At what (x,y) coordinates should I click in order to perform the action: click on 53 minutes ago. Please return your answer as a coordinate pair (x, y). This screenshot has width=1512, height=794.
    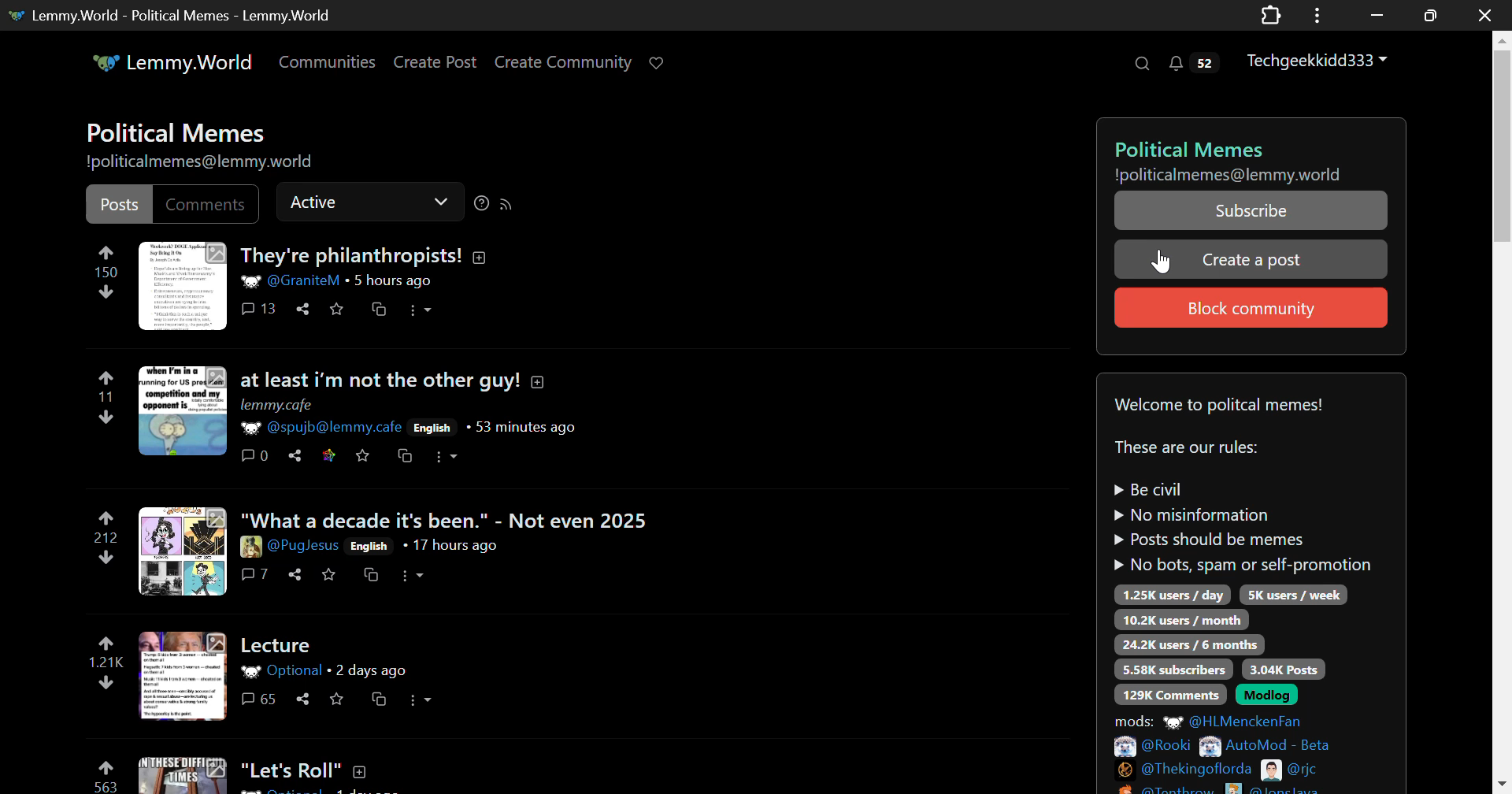
    Looking at the image, I should click on (521, 426).